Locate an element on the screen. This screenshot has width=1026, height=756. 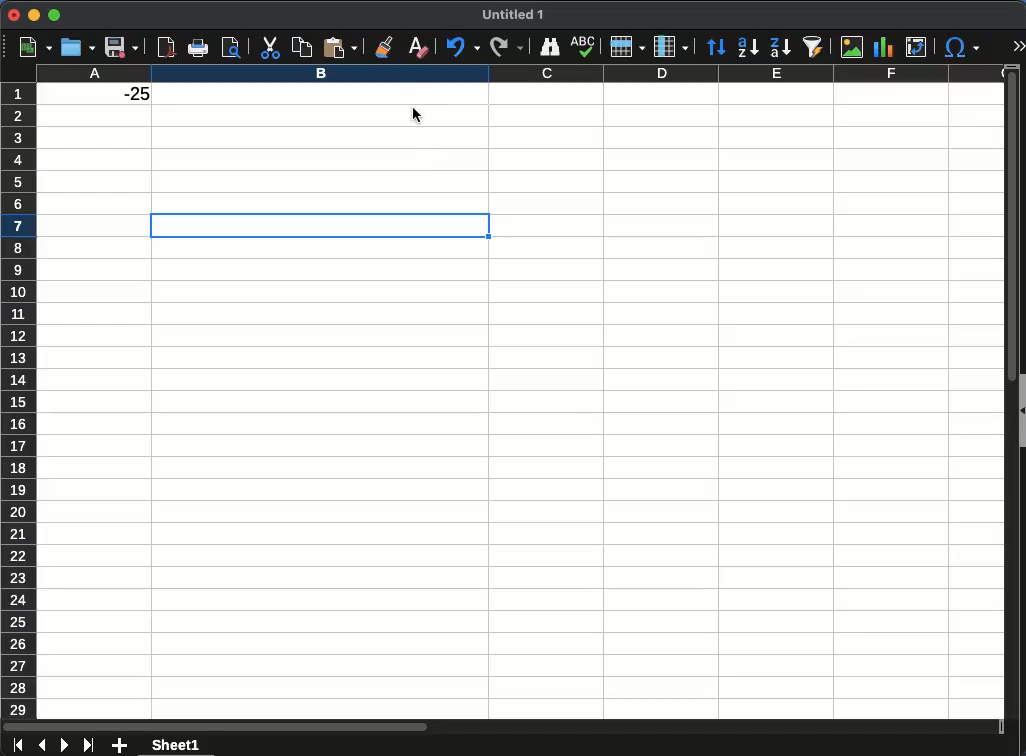
clone formatting  is located at coordinates (382, 47).